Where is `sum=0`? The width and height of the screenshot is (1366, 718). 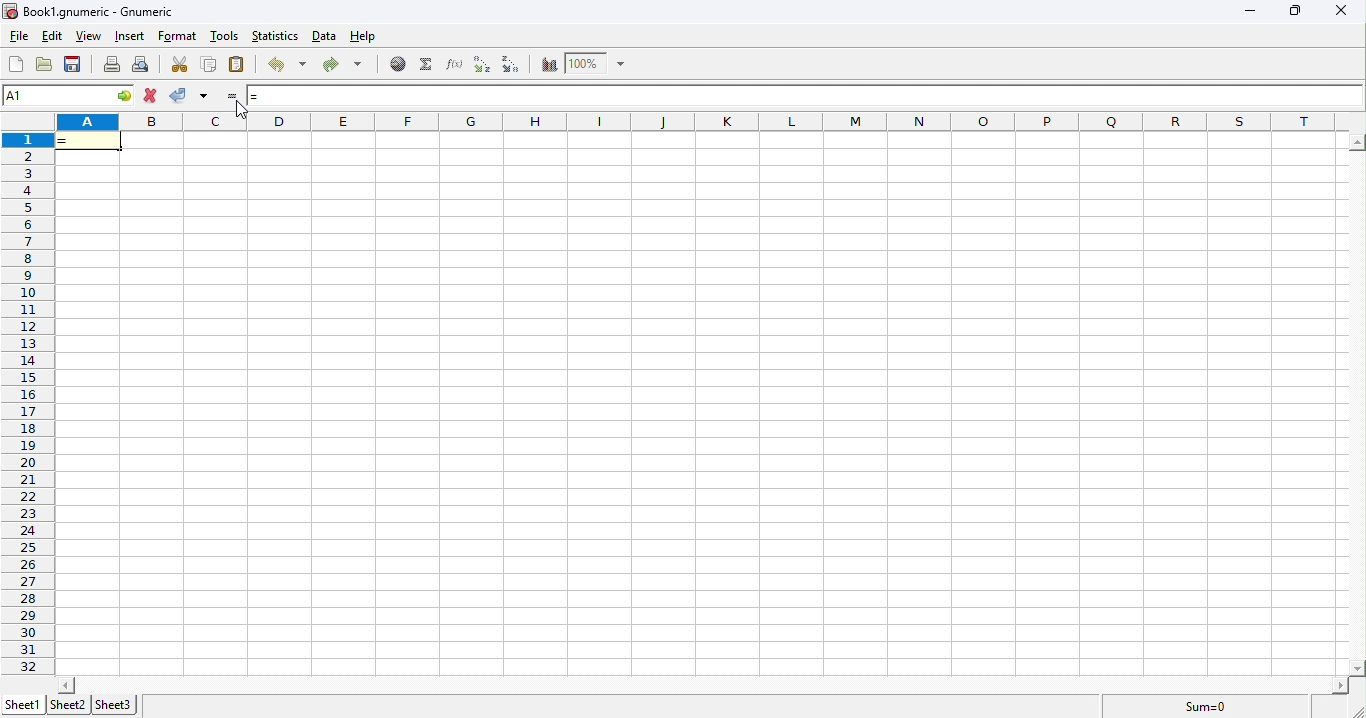 sum=0 is located at coordinates (1206, 708).